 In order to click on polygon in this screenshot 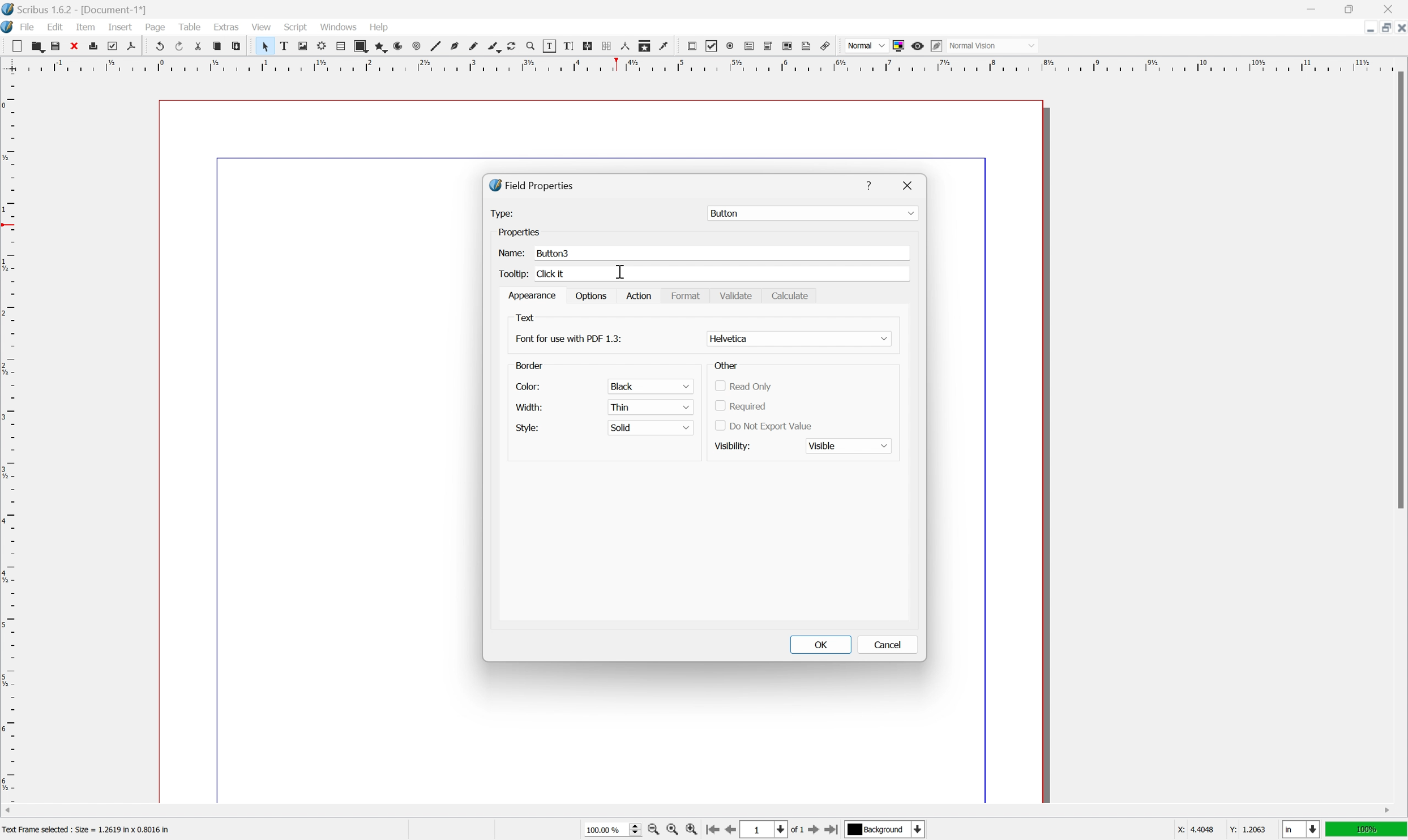, I will do `click(379, 47)`.